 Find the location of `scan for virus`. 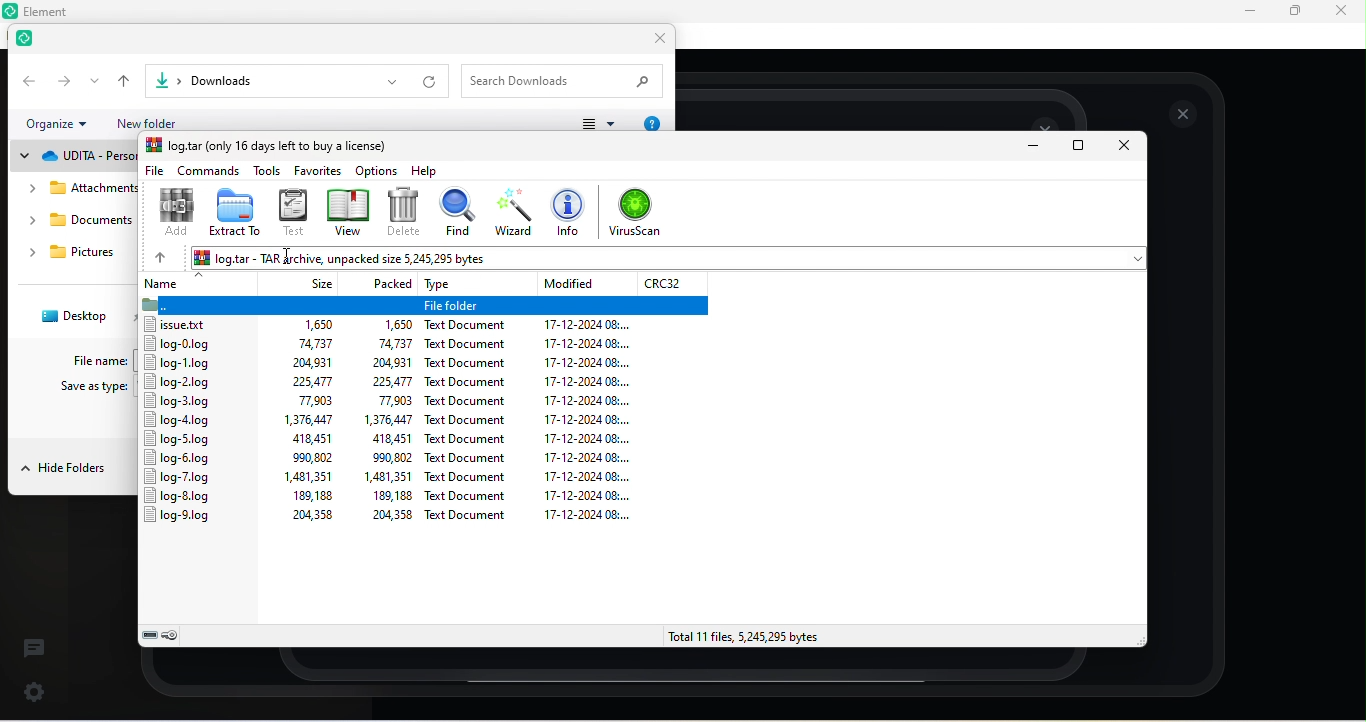

scan for virus is located at coordinates (637, 216).